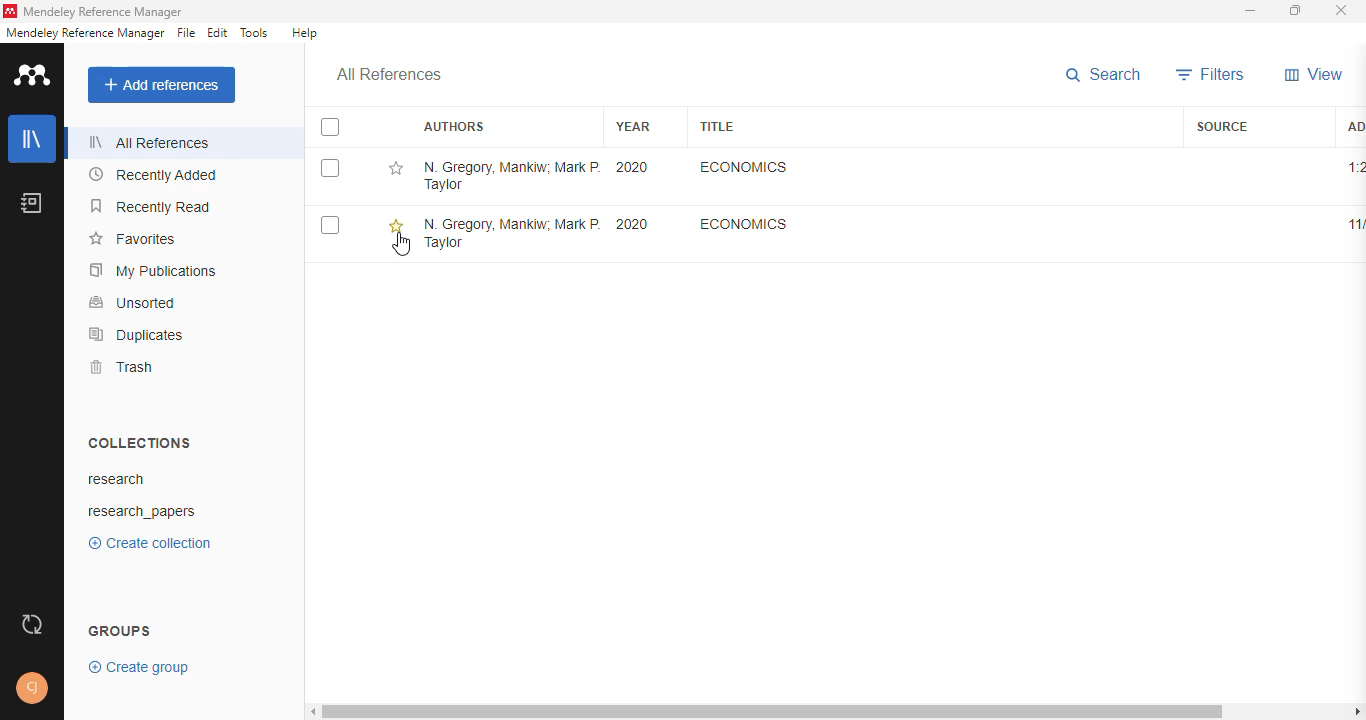  I want to click on minimize, so click(1251, 12).